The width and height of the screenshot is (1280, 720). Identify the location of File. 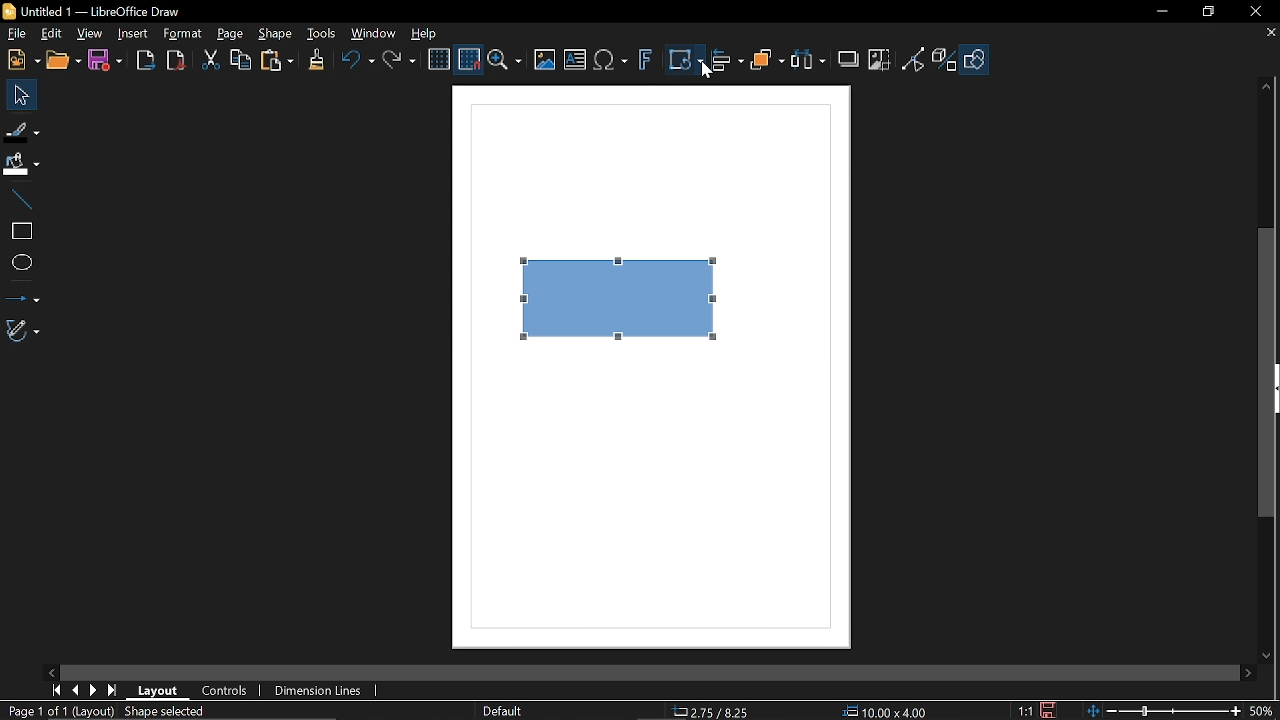
(16, 34).